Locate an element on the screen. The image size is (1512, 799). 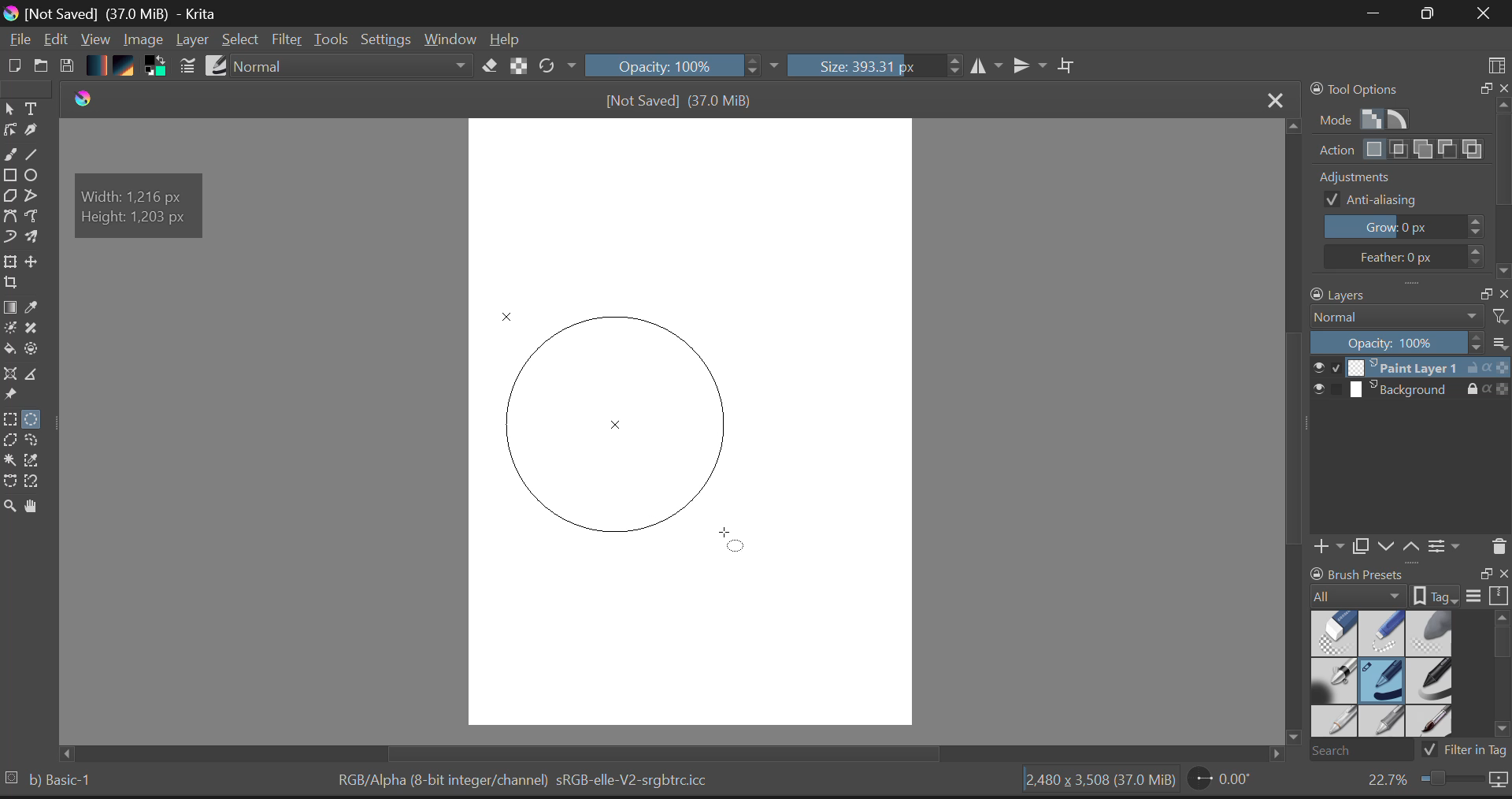
Pan is located at coordinates (35, 507).